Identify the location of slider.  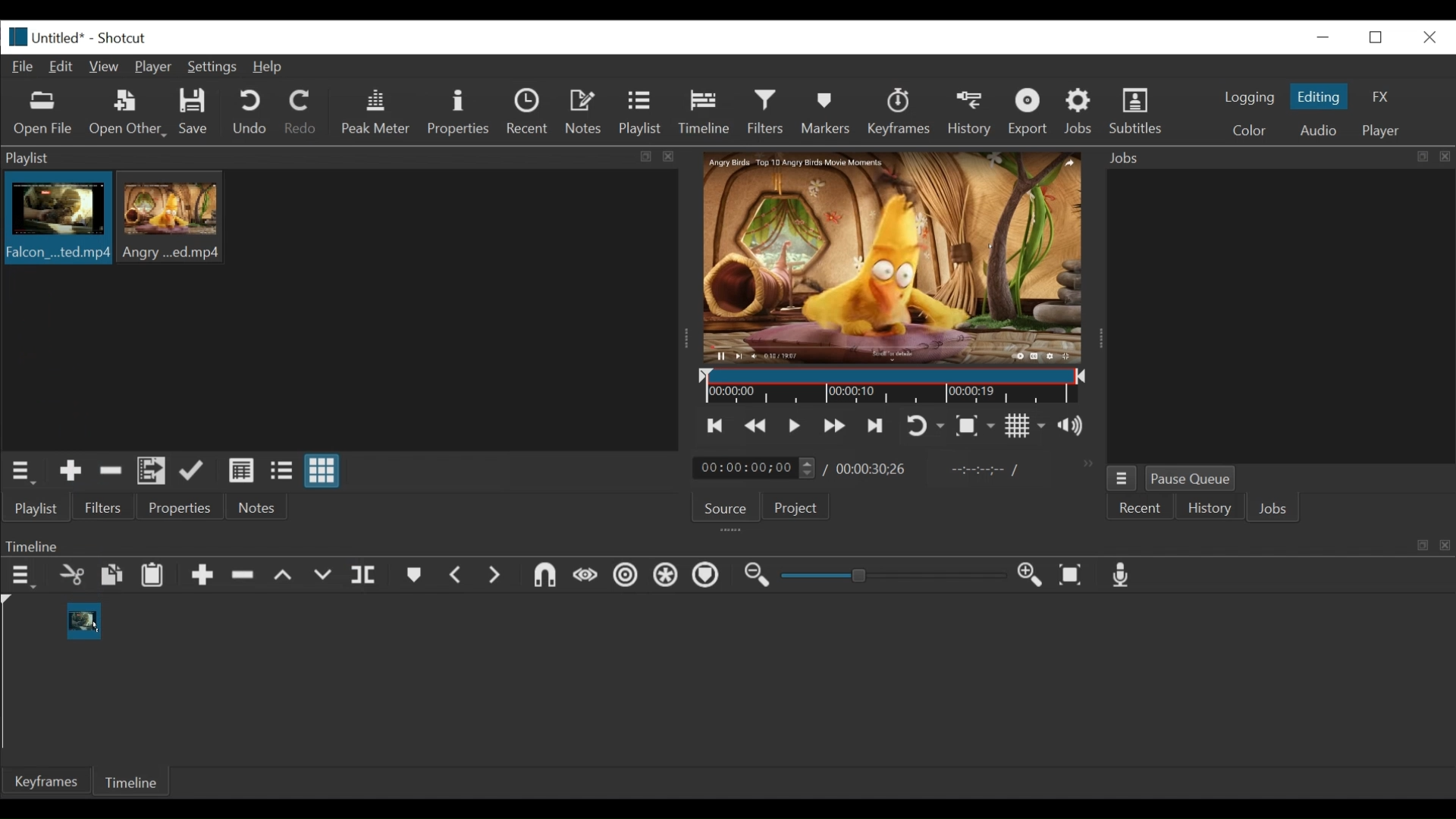
(889, 576).